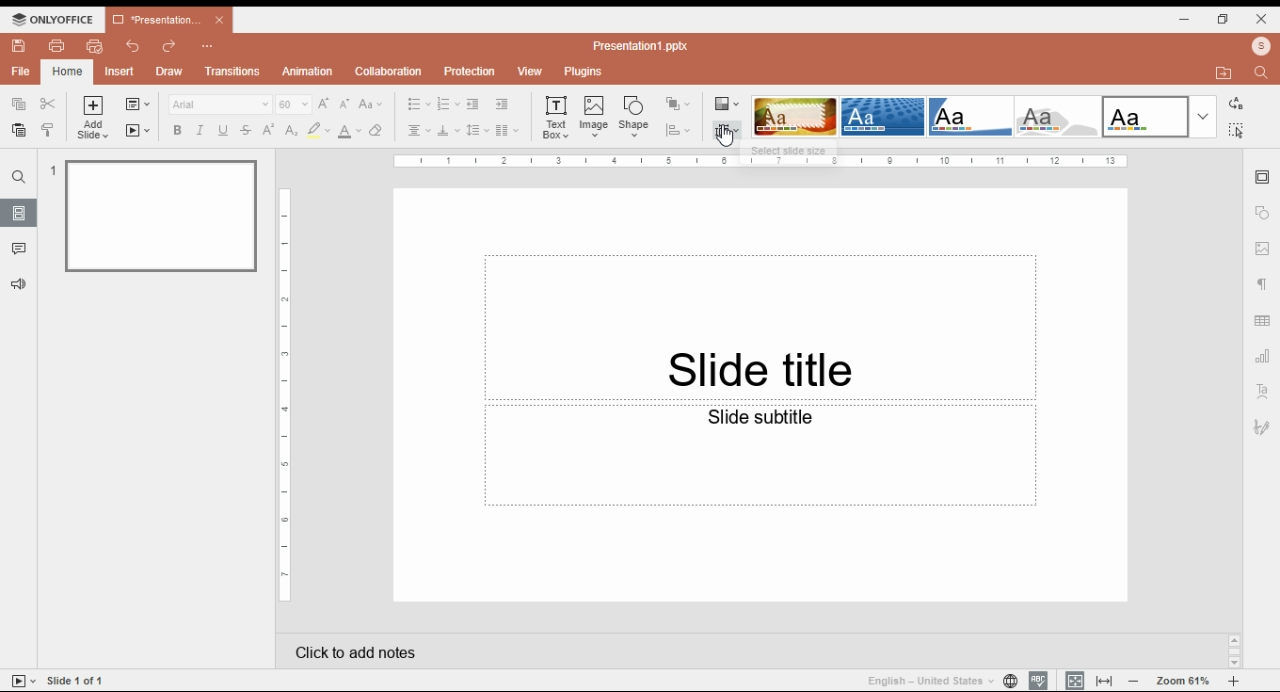 The width and height of the screenshot is (1280, 692). Describe the element at coordinates (154, 214) in the screenshot. I see `slide 1` at that location.